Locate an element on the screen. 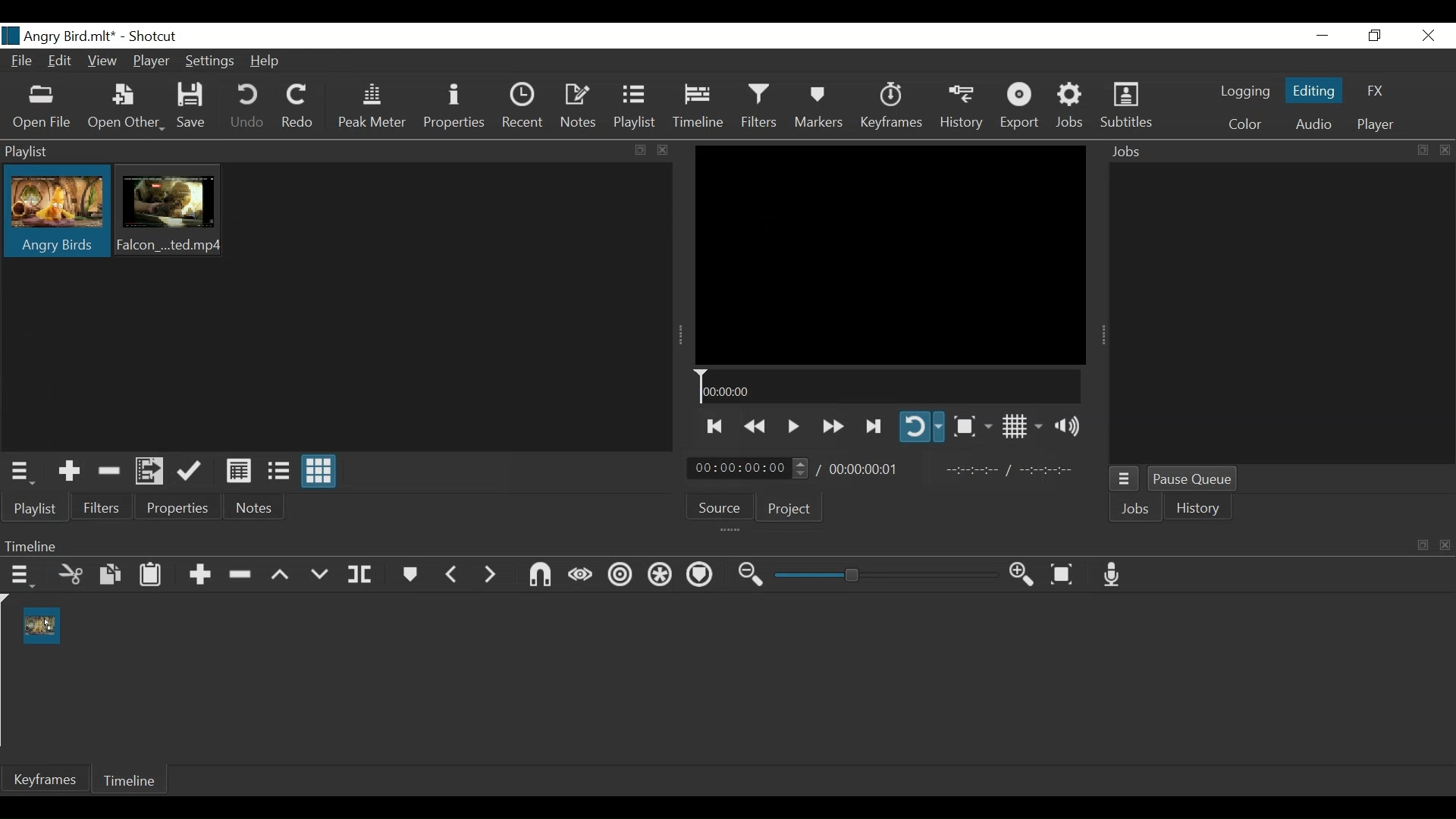 This screenshot has height=819, width=1456. Skip to the previous point is located at coordinates (715, 425).